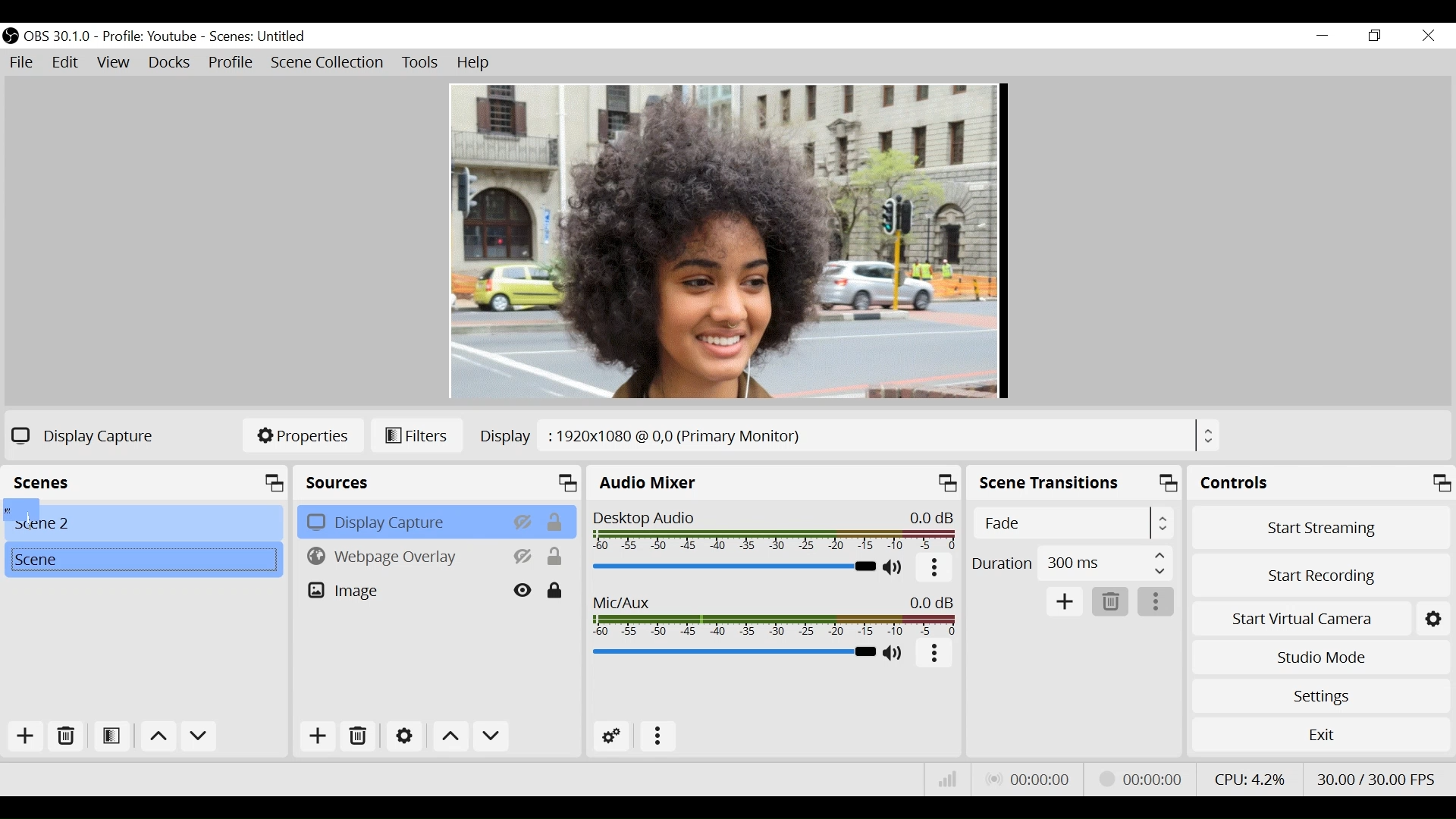 This screenshot has width=1456, height=819. Describe the element at coordinates (1320, 528) in the screenshot. I see `Start Streaming` at that location.